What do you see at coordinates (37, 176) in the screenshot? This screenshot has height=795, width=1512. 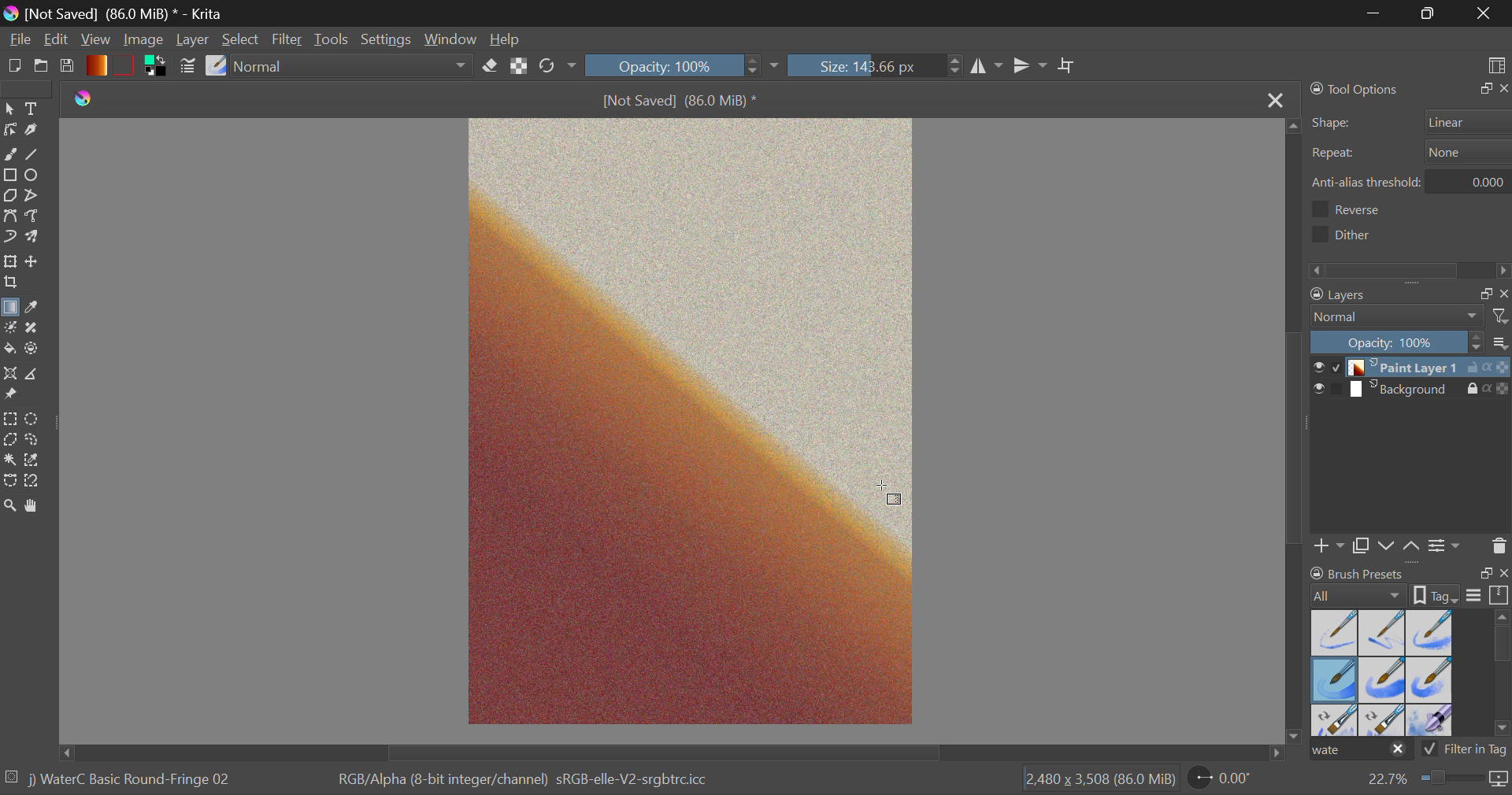 I see `Ellipses` at bounding box center [37, 176].